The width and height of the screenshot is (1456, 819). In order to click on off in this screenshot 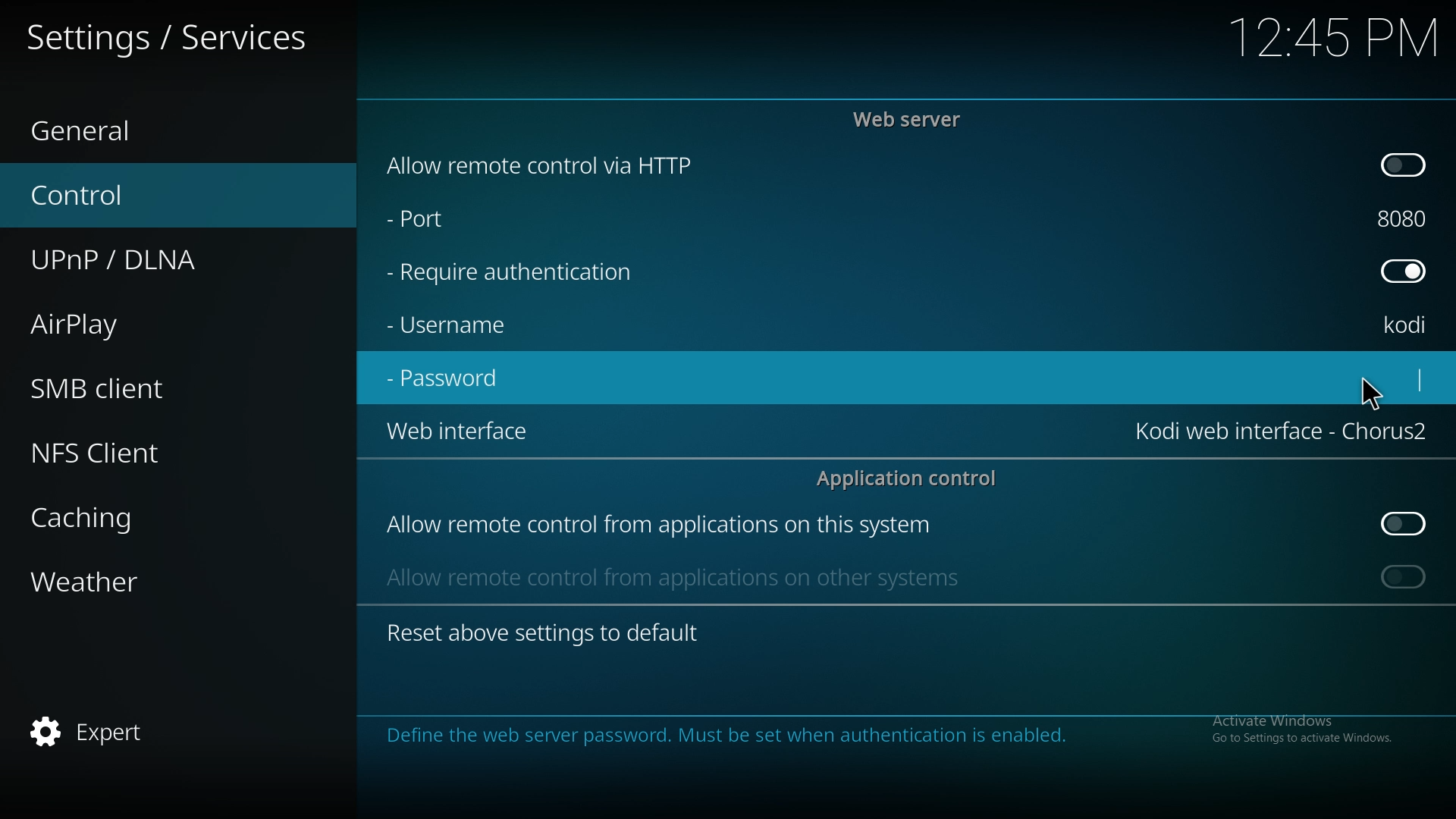, I will do `click(1406, 524)`.